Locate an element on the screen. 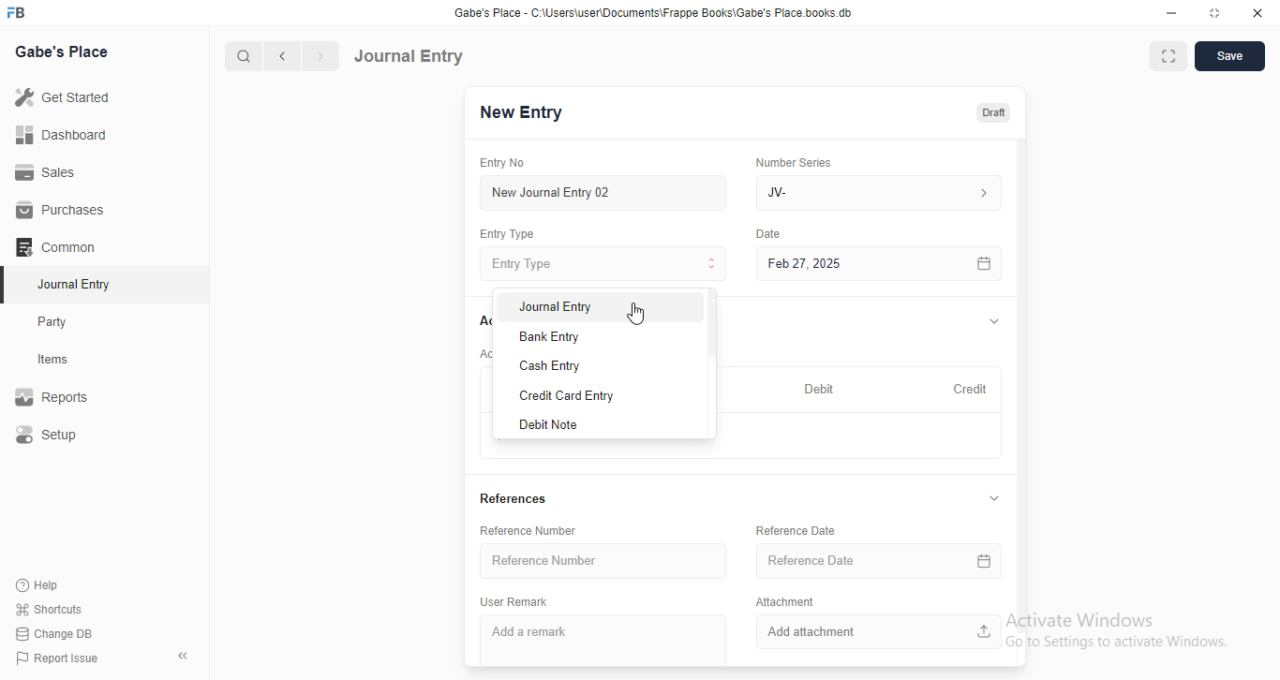  Gabe's Place is located at coordinates (63, 51).